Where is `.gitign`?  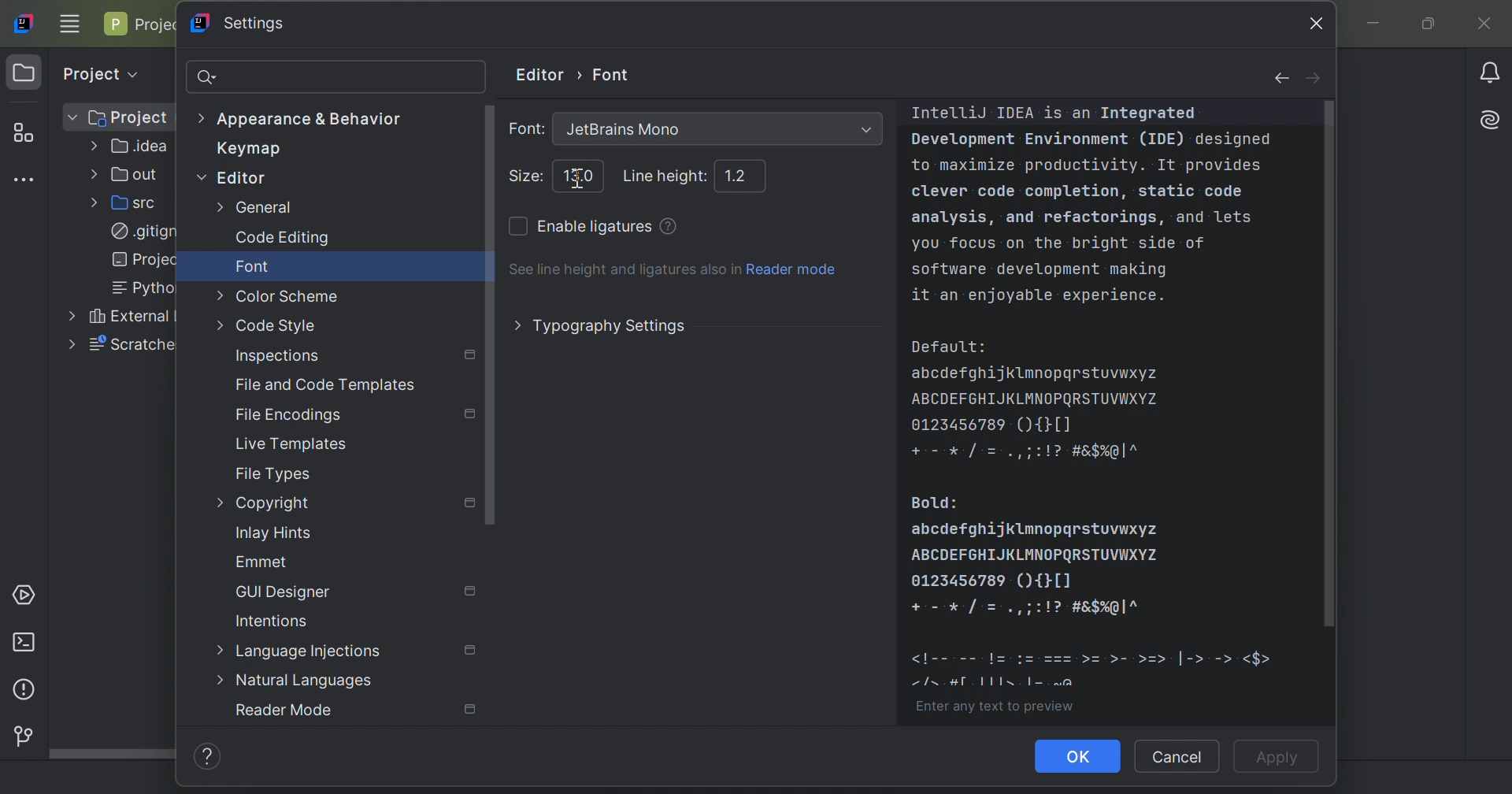
.gitign is located at coordinates (145, 232).